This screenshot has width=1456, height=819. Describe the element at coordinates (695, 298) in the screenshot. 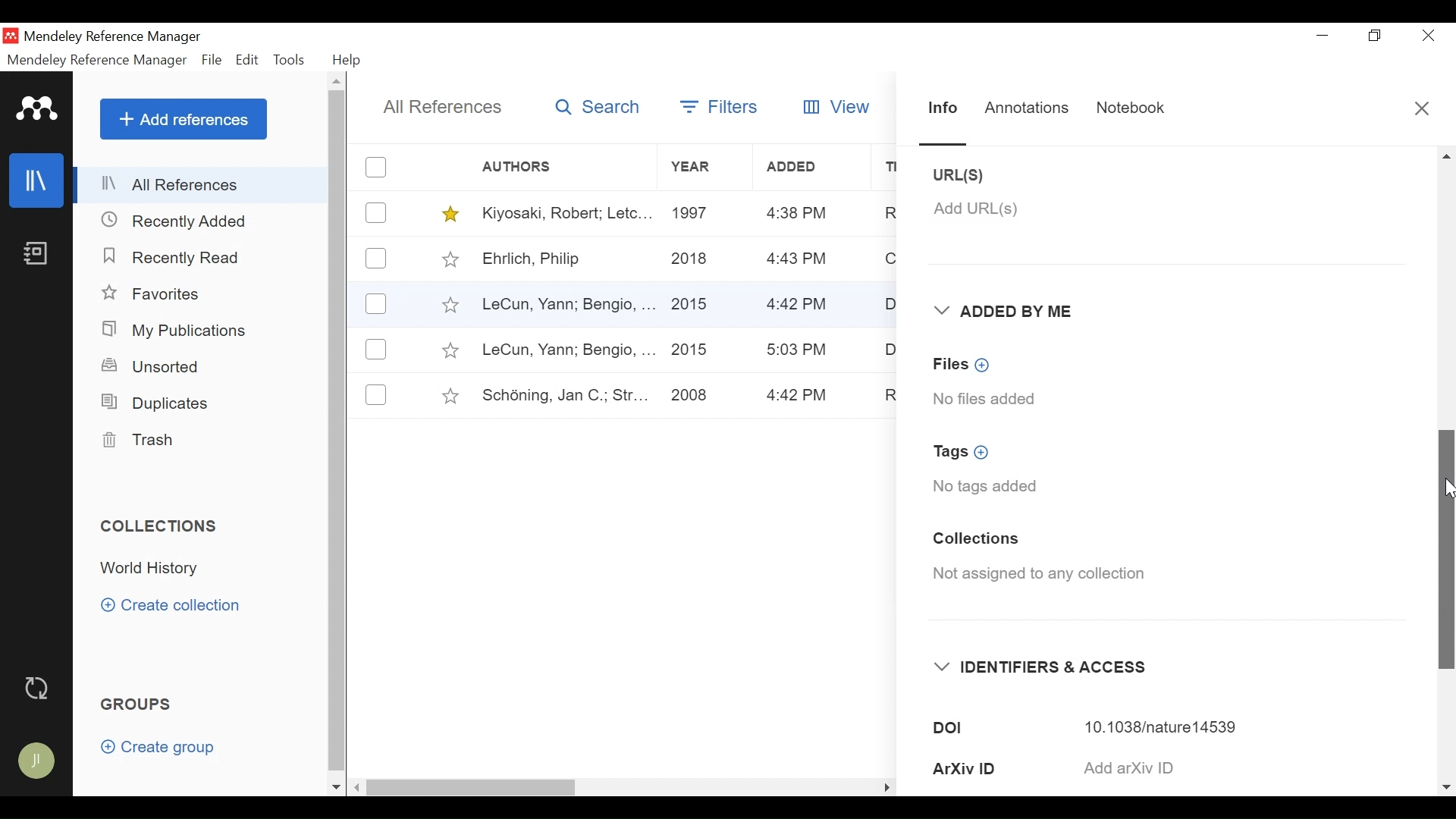

I see `2015` at that location.